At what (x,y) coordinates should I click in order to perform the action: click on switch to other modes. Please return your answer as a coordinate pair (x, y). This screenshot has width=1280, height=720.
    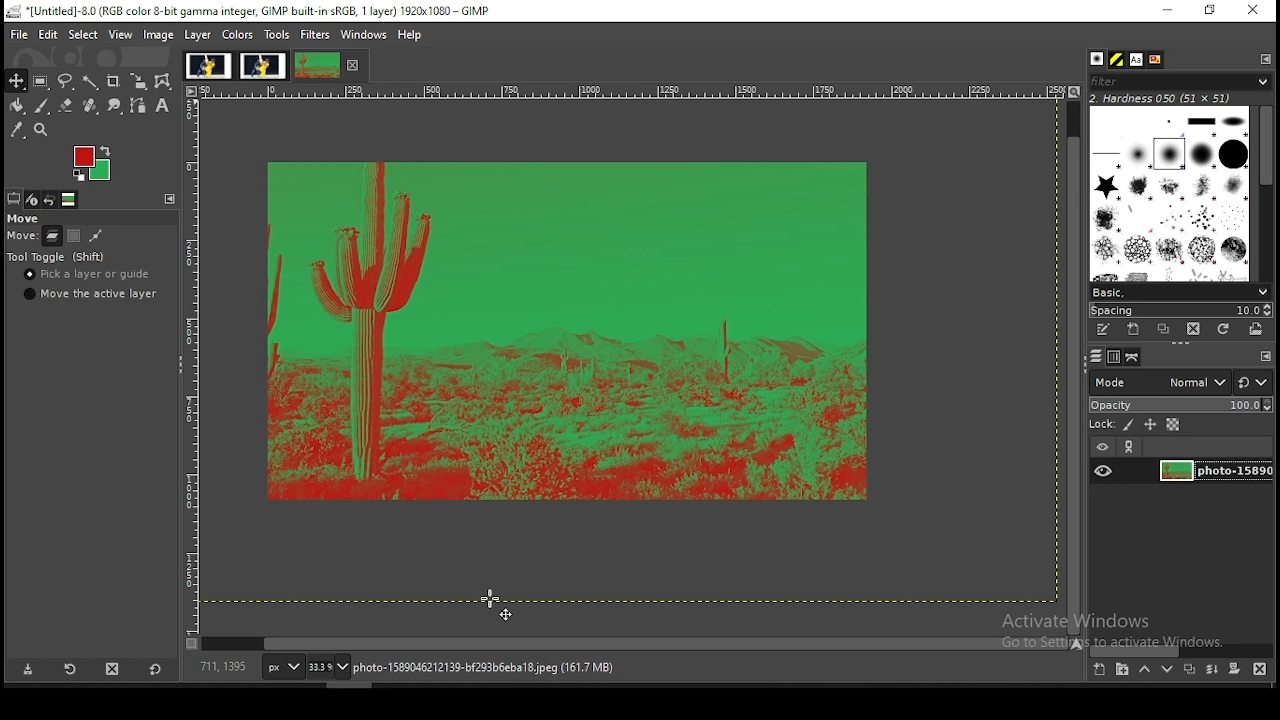
    Looking at the image, I should click on (1252, 383).